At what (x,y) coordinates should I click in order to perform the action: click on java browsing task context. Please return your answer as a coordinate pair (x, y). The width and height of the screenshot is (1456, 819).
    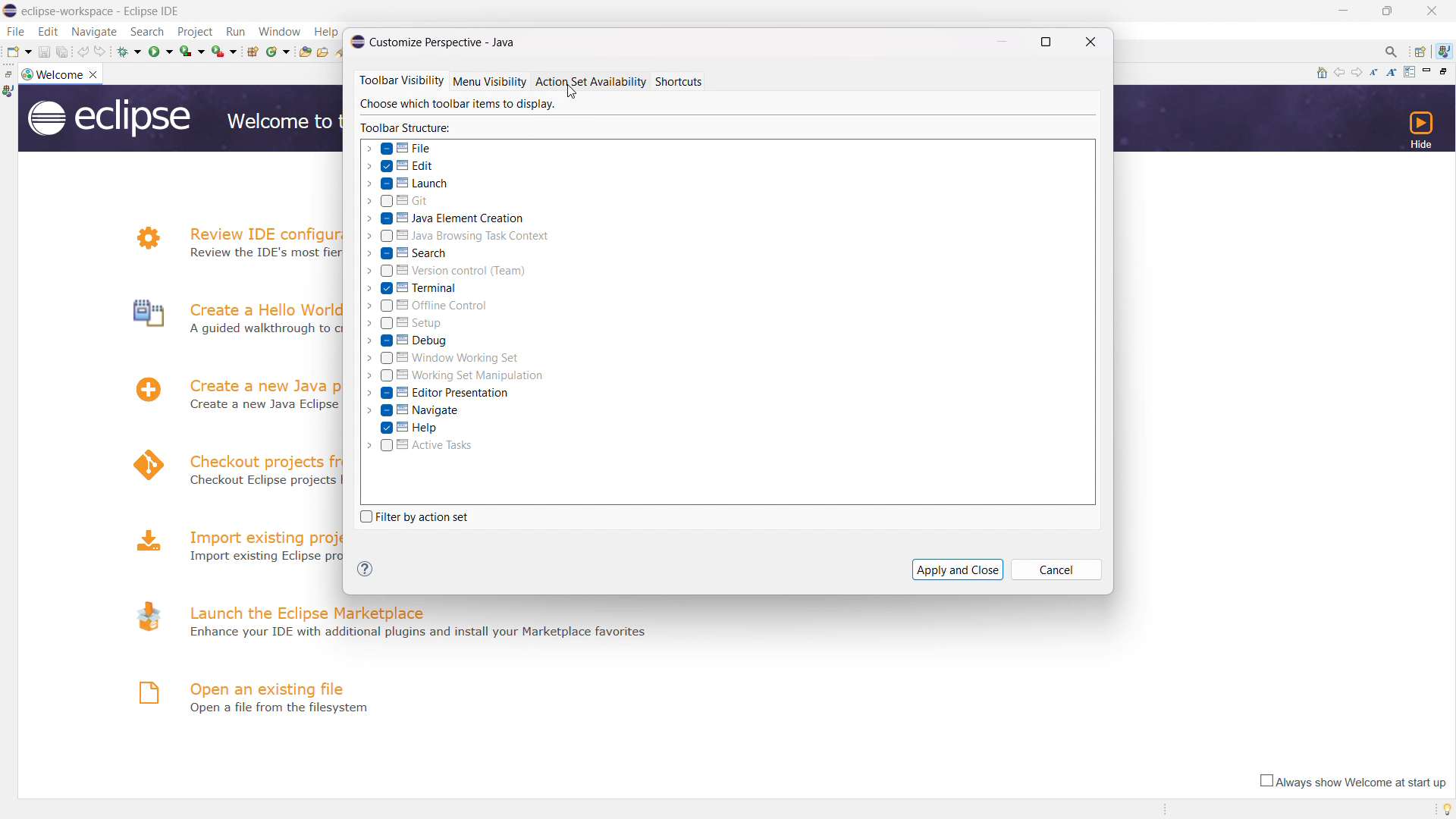
    Looking at the image, I should click on (457, 236).